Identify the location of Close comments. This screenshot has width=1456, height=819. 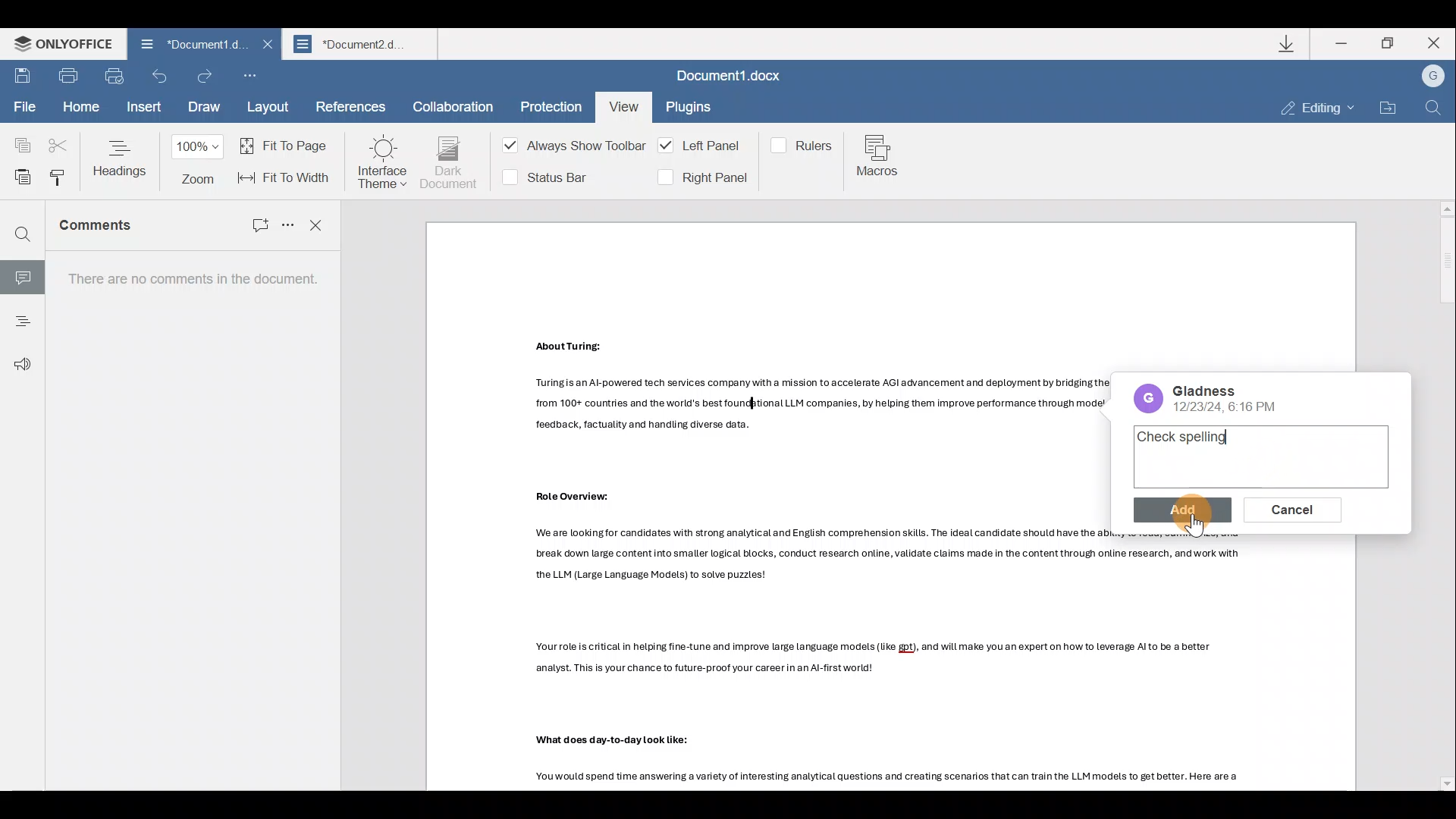
(317, 224).